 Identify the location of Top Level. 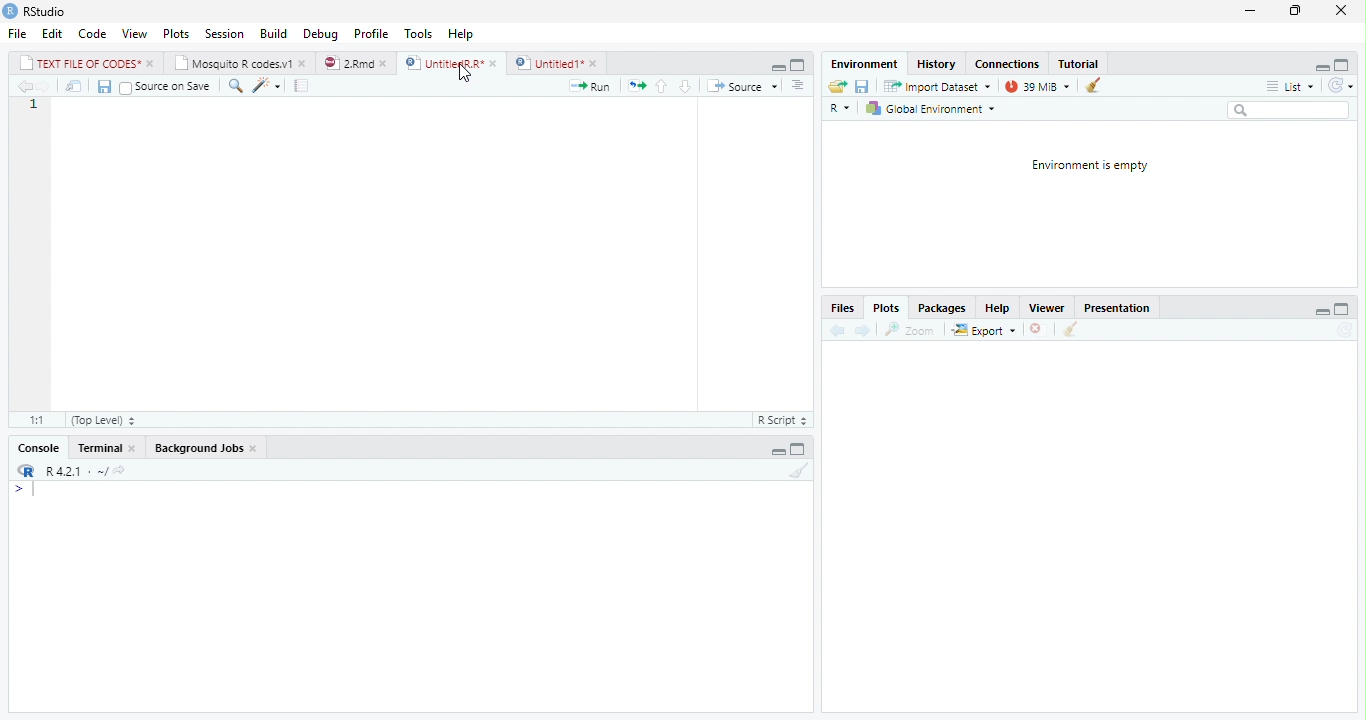
(105, 419).